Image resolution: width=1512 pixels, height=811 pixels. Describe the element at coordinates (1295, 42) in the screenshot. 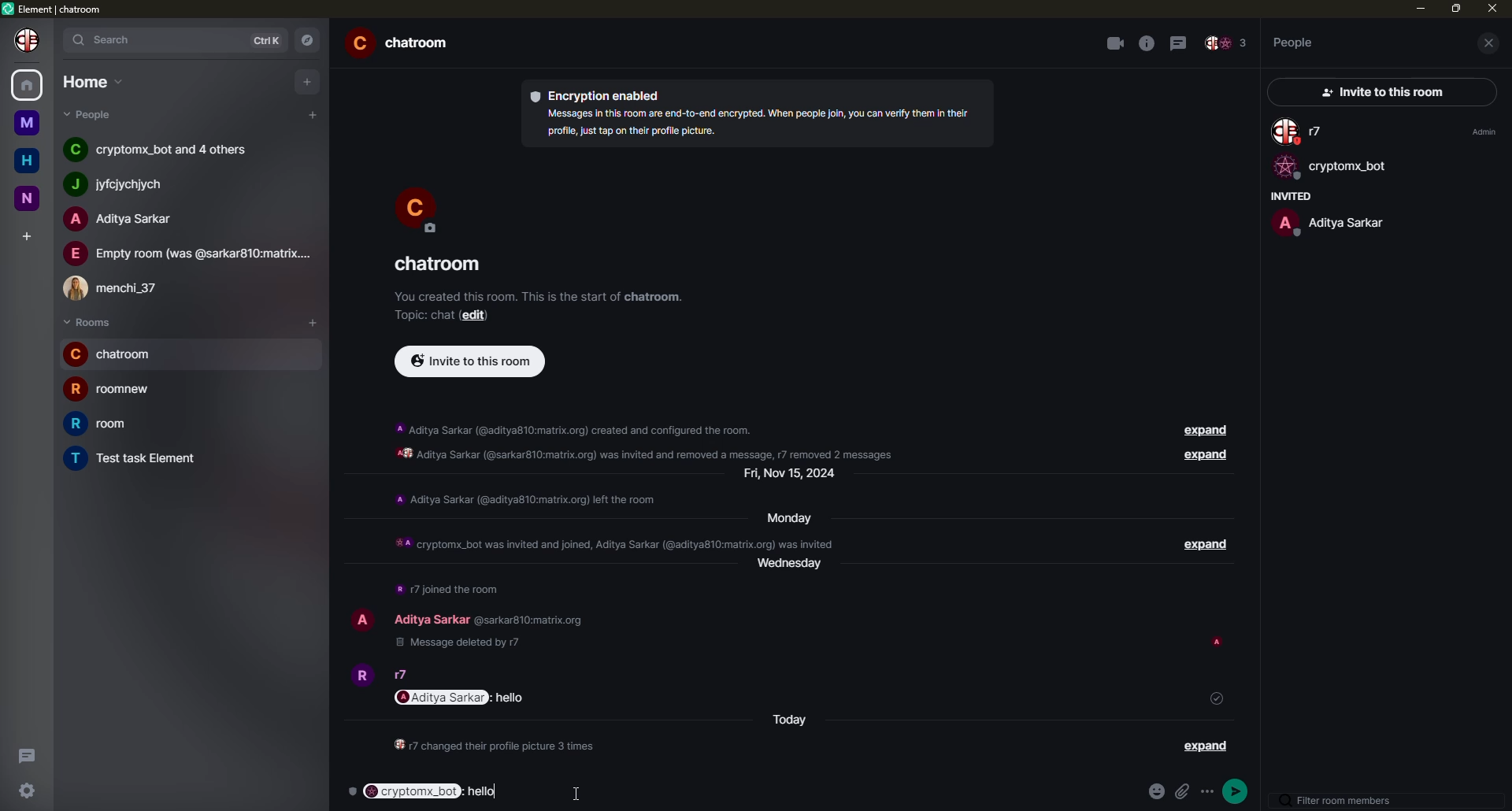

I see `people` at that location.